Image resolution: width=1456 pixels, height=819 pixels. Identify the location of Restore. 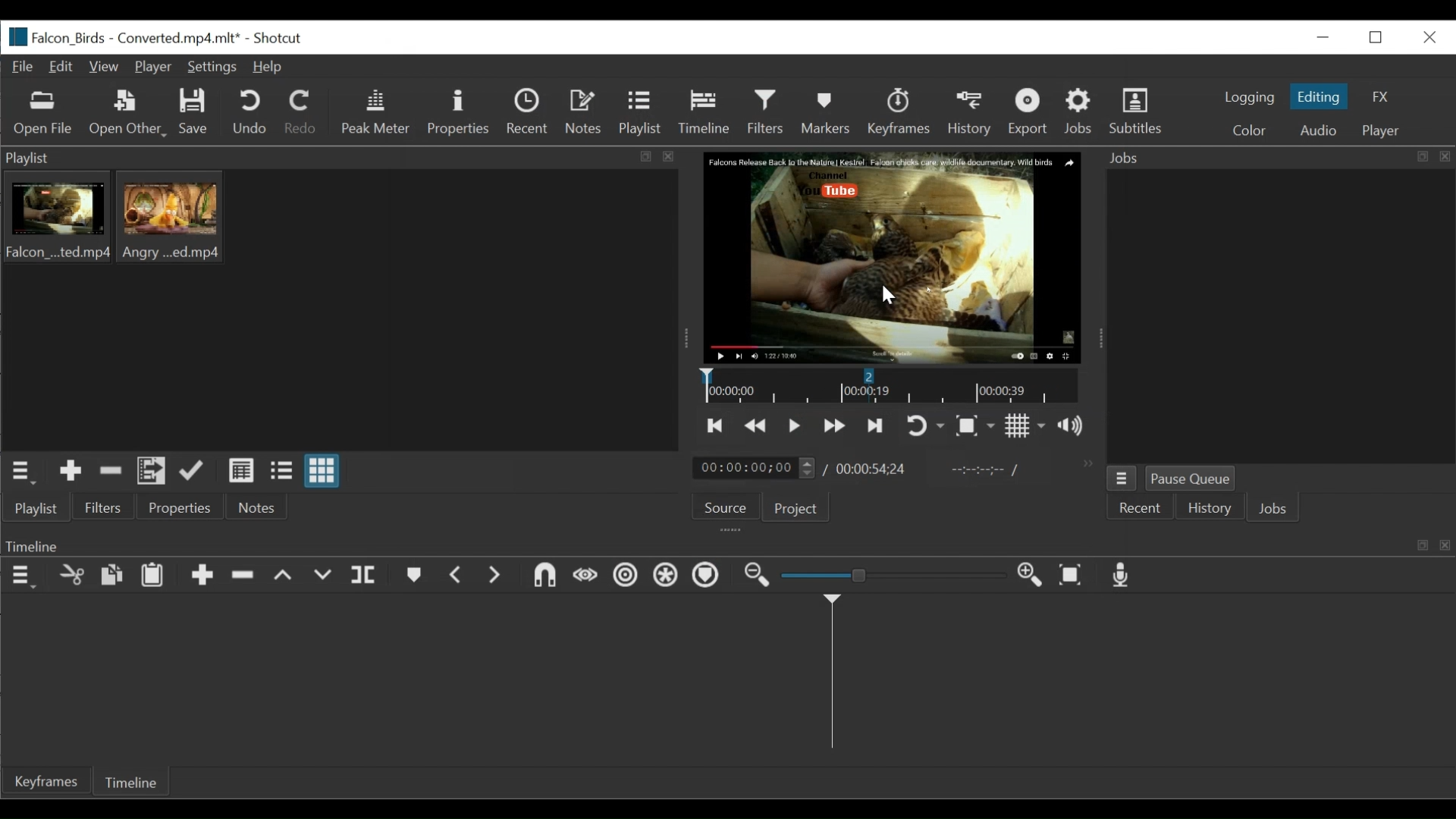
(1377, 38).